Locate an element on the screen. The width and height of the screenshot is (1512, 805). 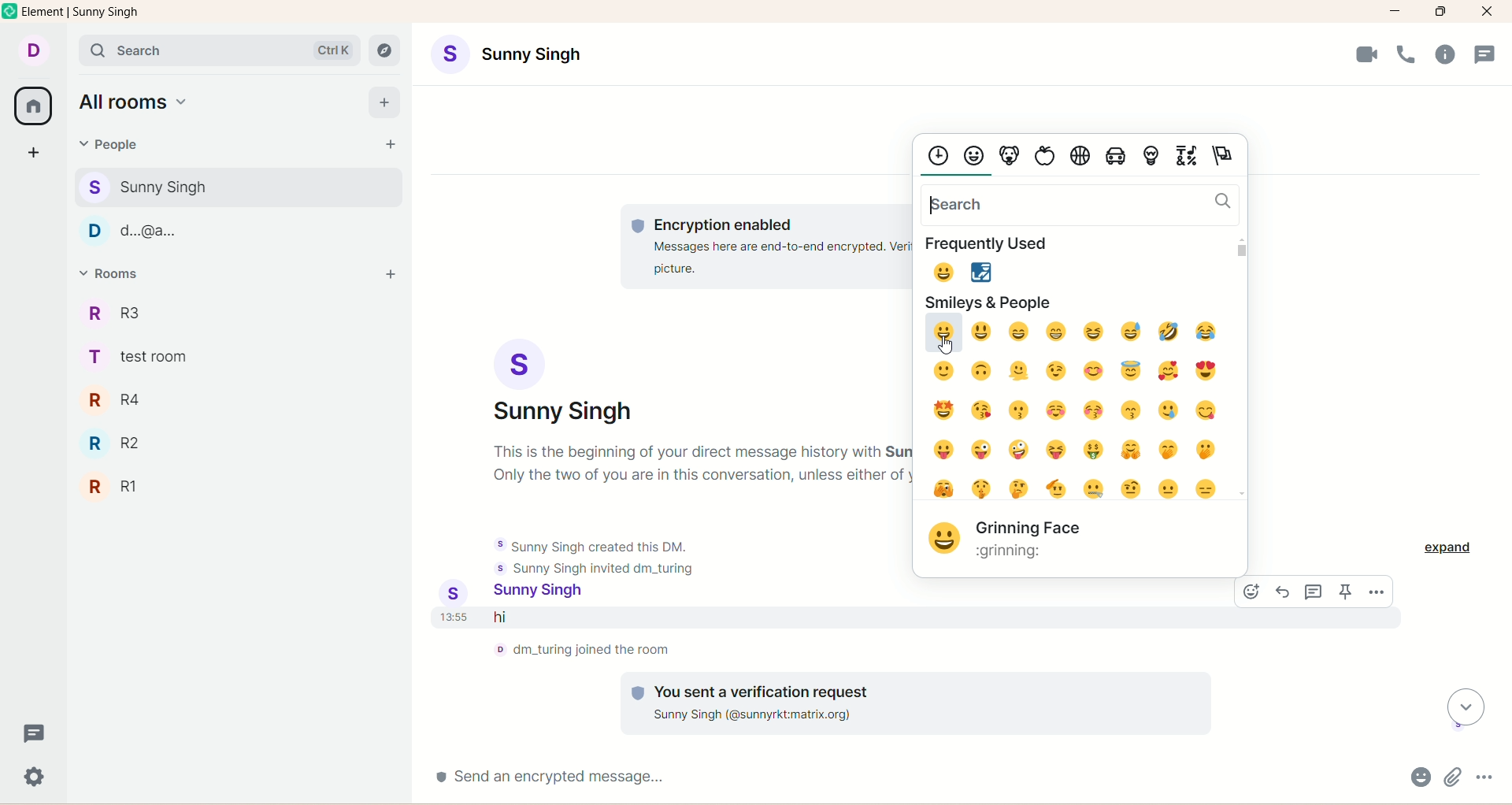
pin is located at coordinates (1345, 592).